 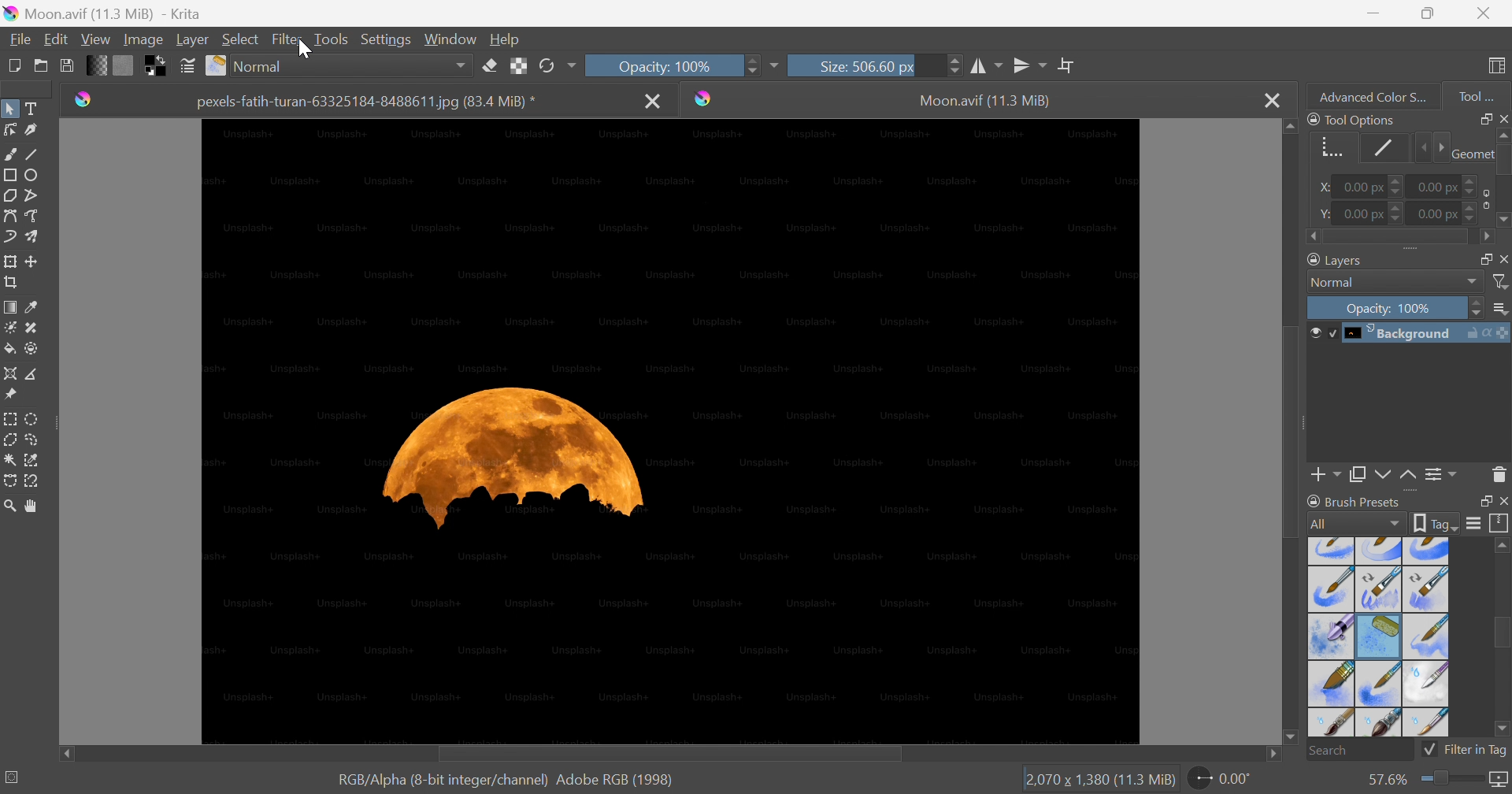 What do you see at coordinates (1438, 147) in the screenshot?
I see `Next` at bounding box center [1438, 147].